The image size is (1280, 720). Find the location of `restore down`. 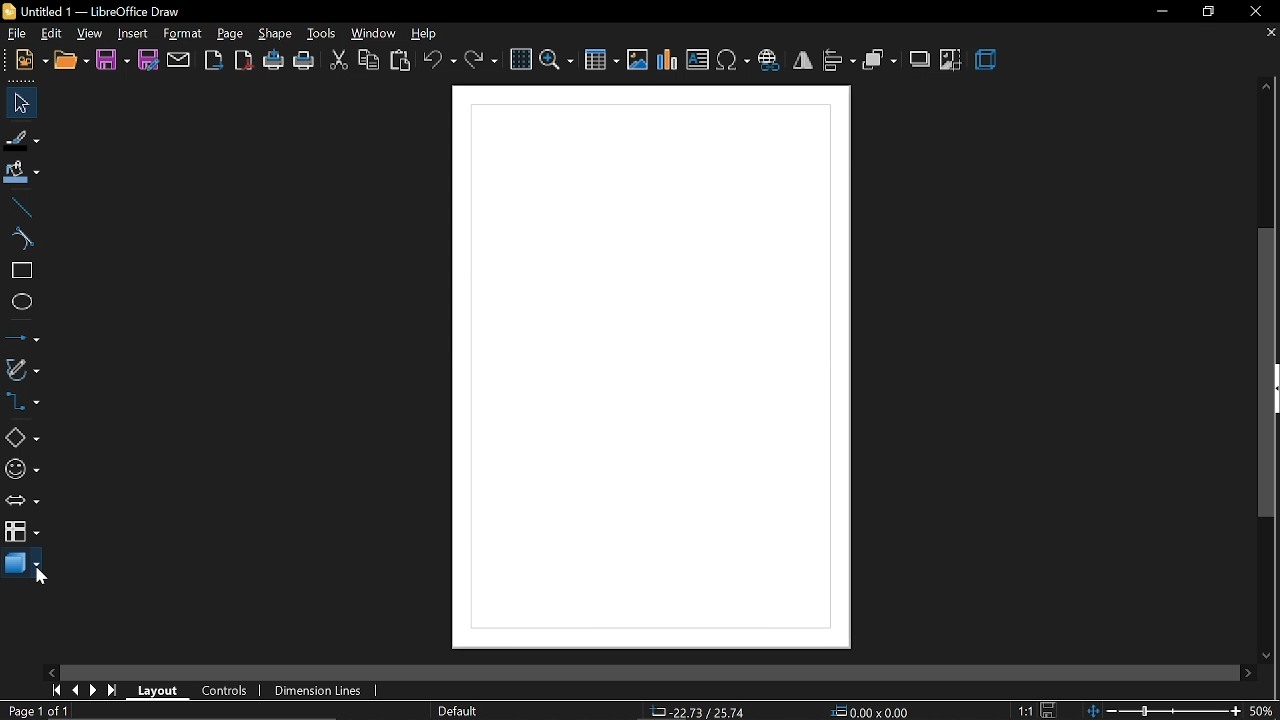

restore down is located at coordinates (1206, 14).